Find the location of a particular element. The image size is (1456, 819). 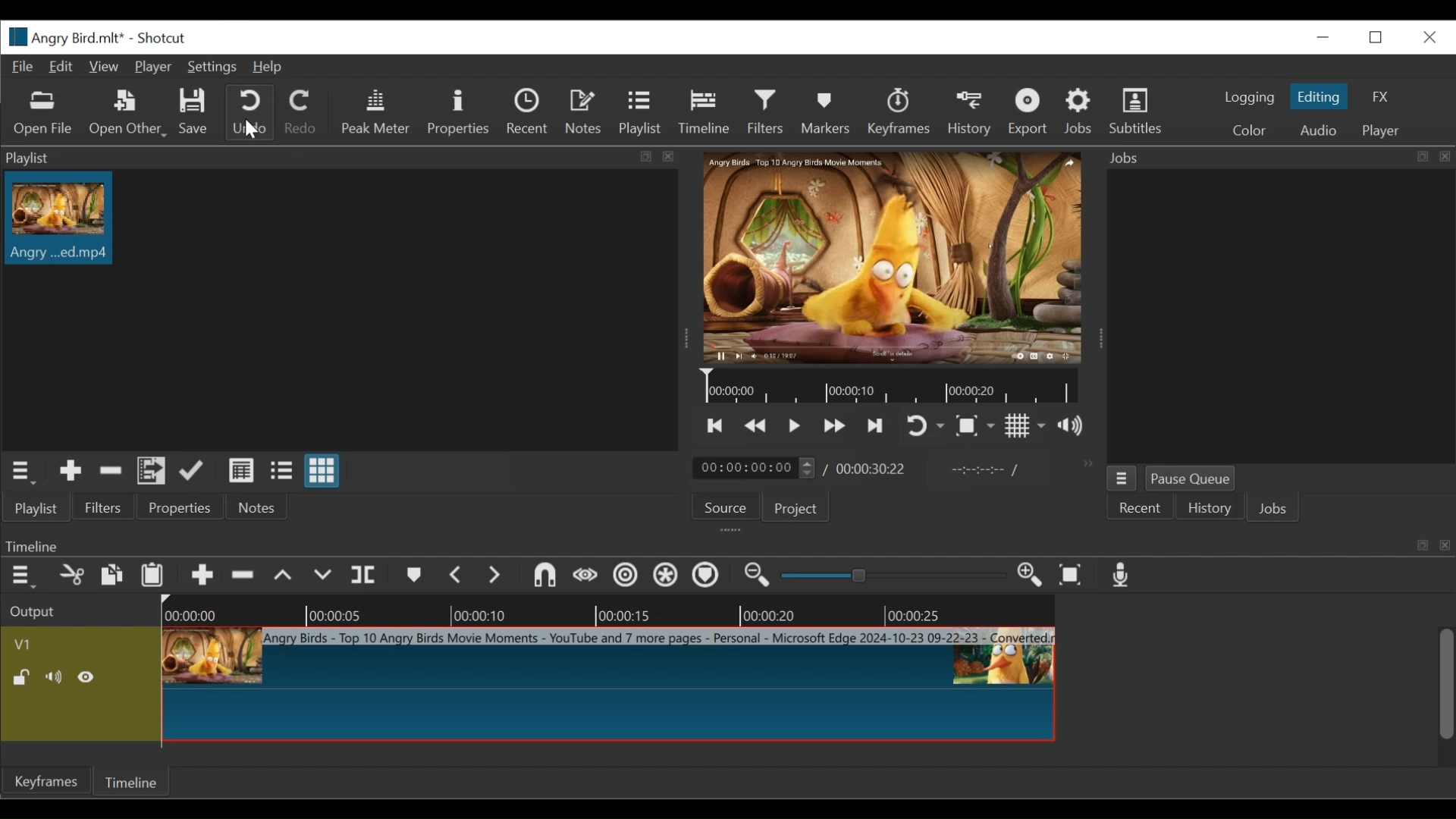

Recent is located at coordinates (529, 111).